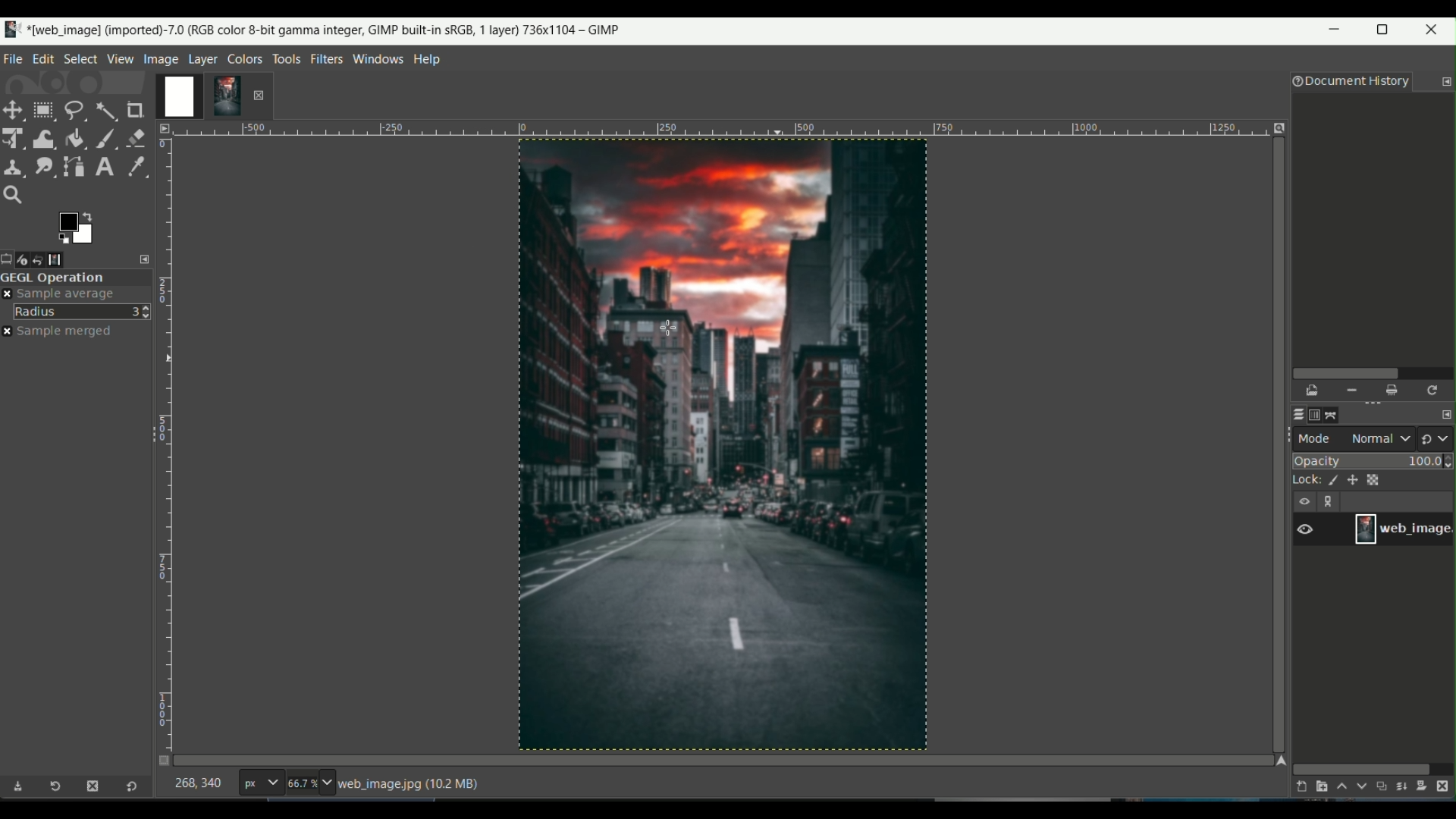 This screenshot has height=819, width=1456. What do you see at coordinates (259, 95) in the screenshot?
I see `remove image` at bounding box center [259, 95].